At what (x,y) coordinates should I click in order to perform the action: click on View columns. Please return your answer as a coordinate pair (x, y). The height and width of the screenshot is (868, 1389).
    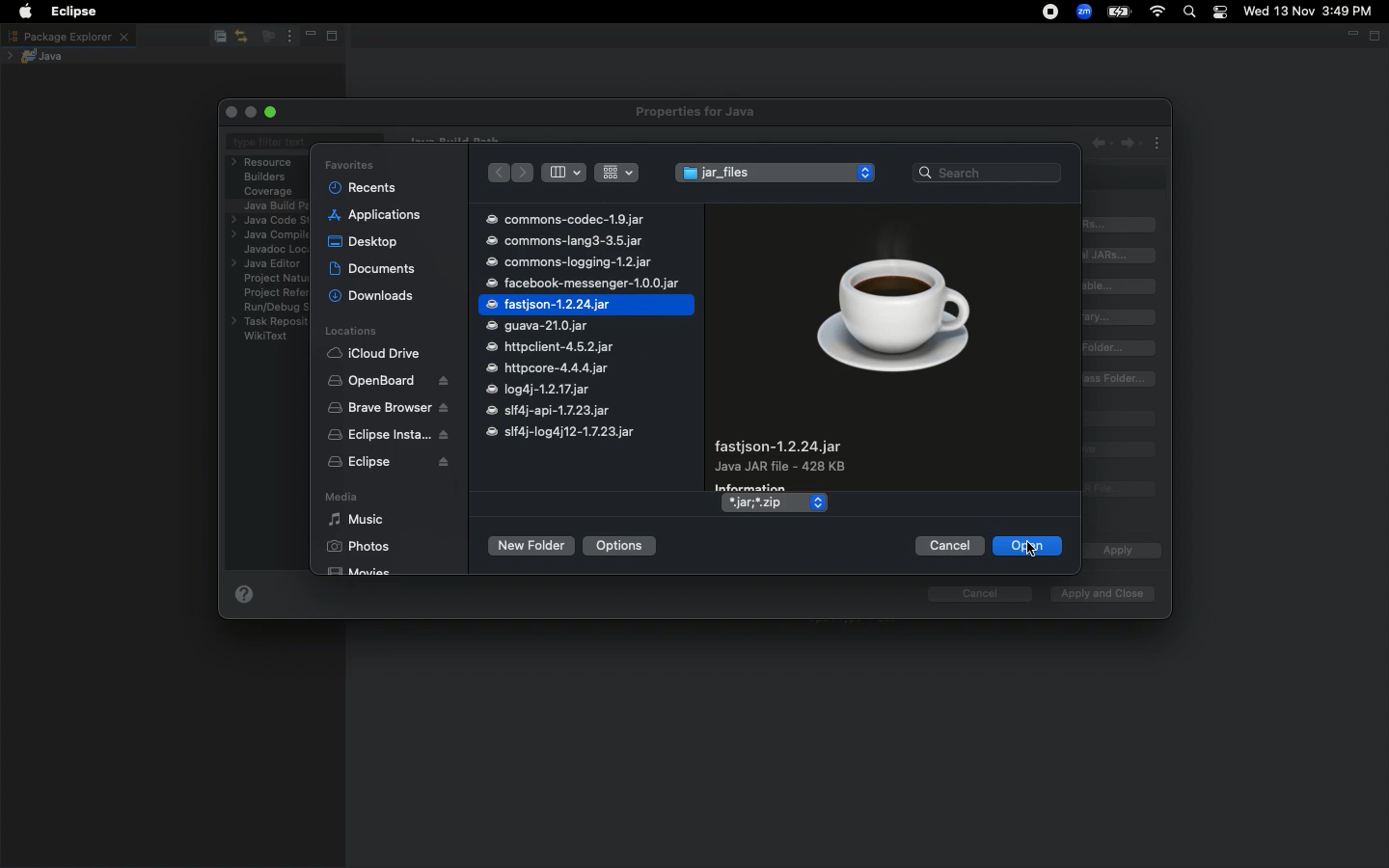
    Looking at the image, I should click on (563, 172).